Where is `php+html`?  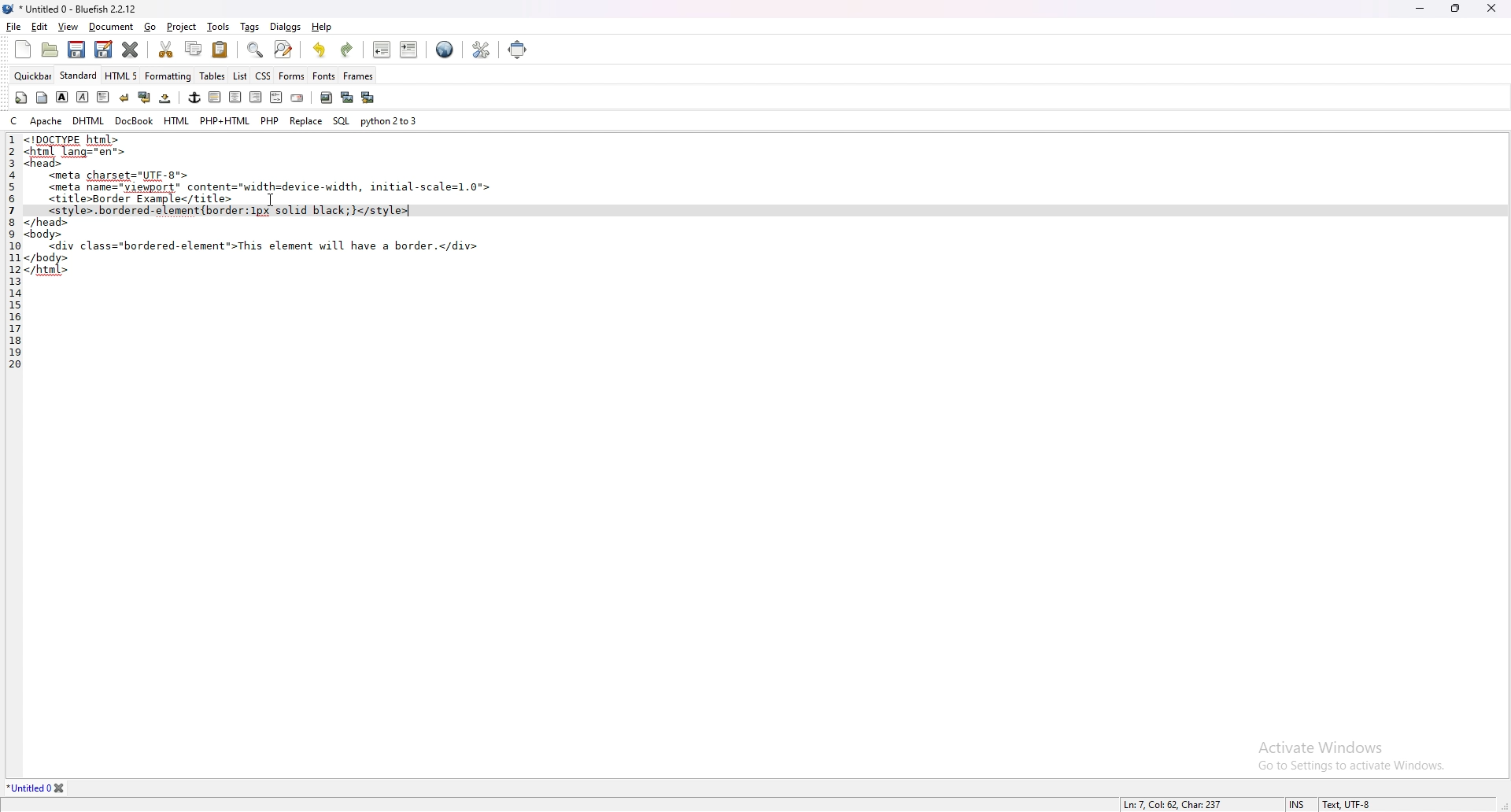
php+html is located at coordinates (225, 120).